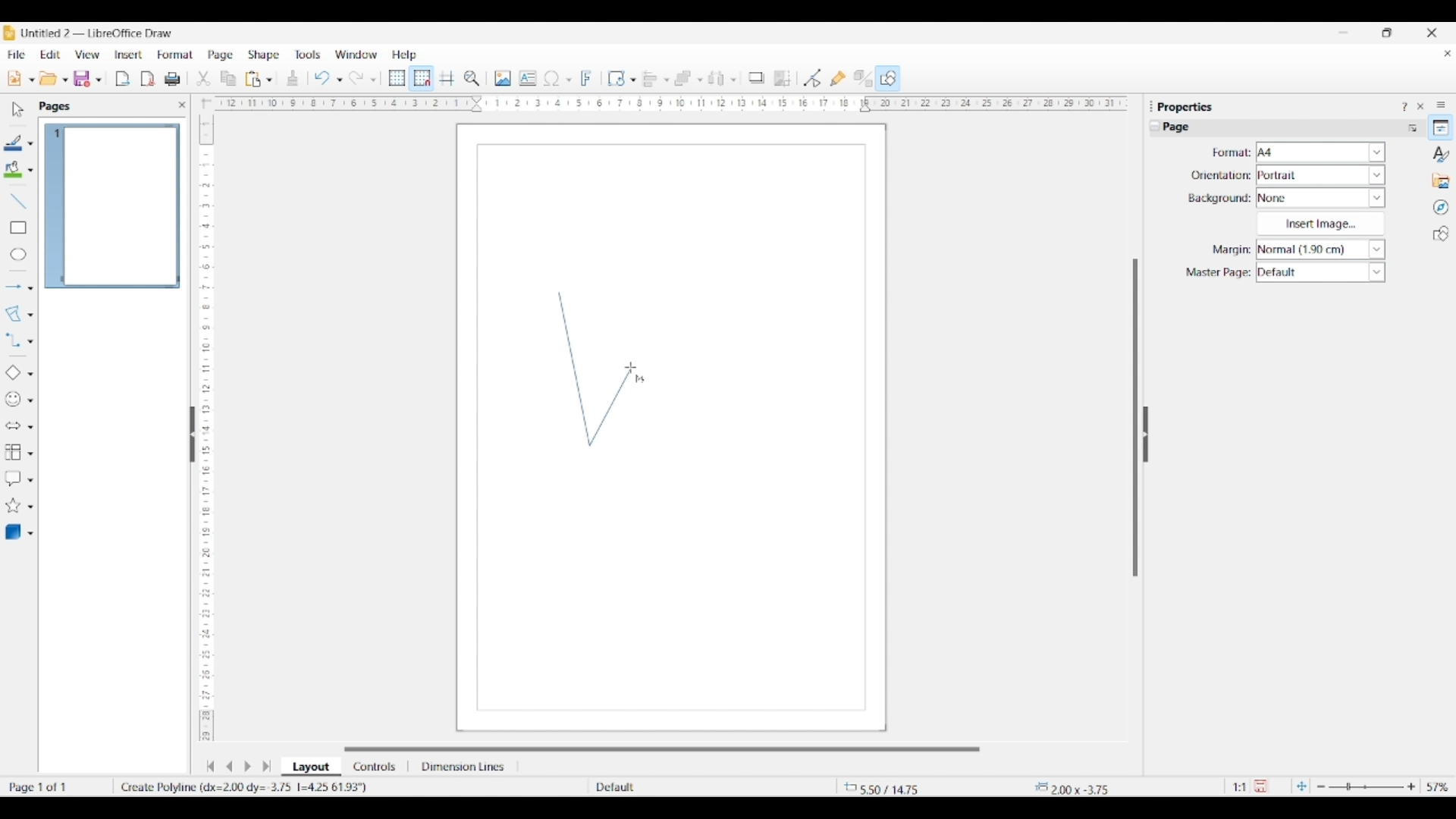 The width and height of the screenshot is (1456, 819). I want to click on Insert line, so click(17, 200).